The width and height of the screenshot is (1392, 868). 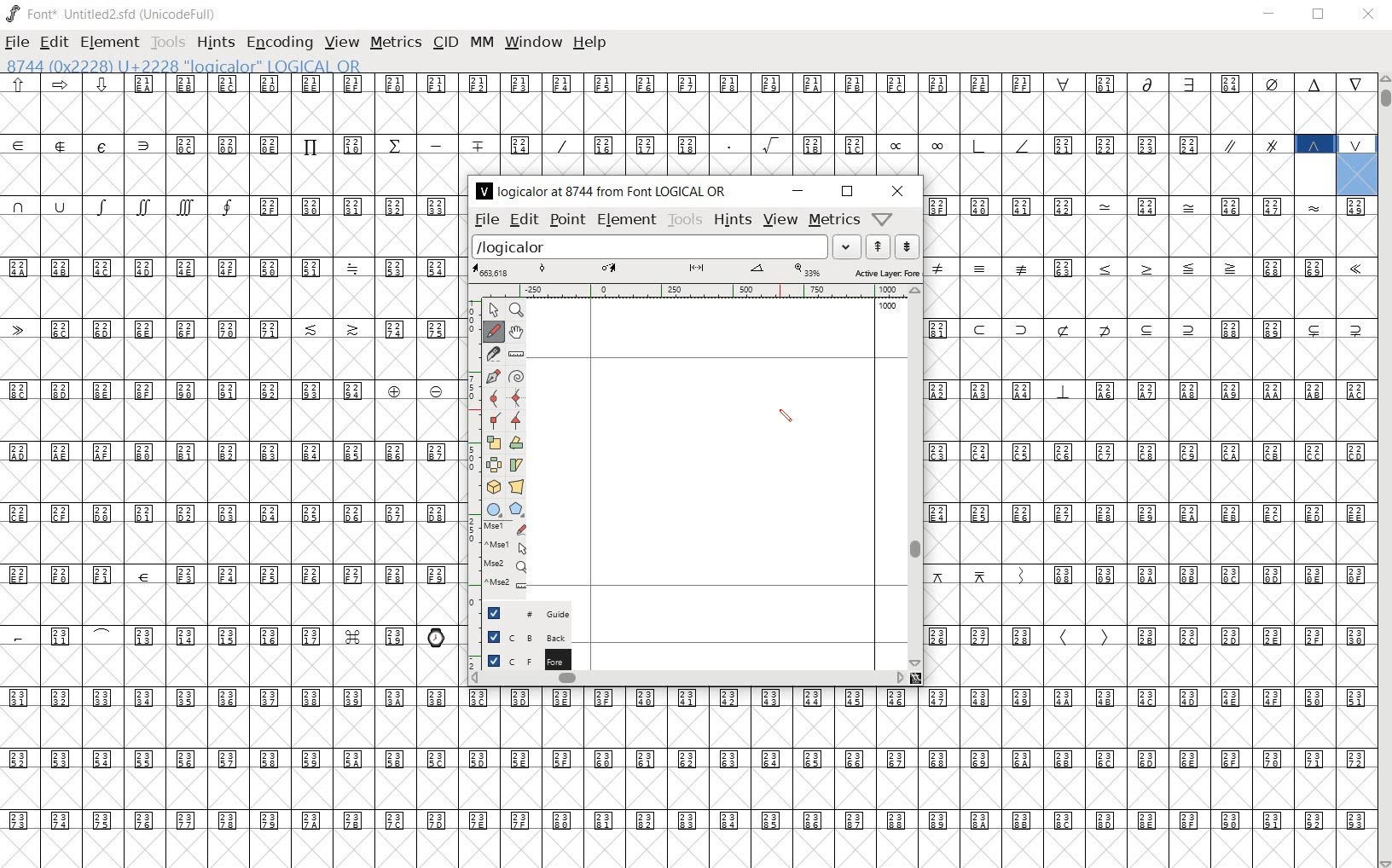 I want to click on metrics, so click(x=395, y=43).